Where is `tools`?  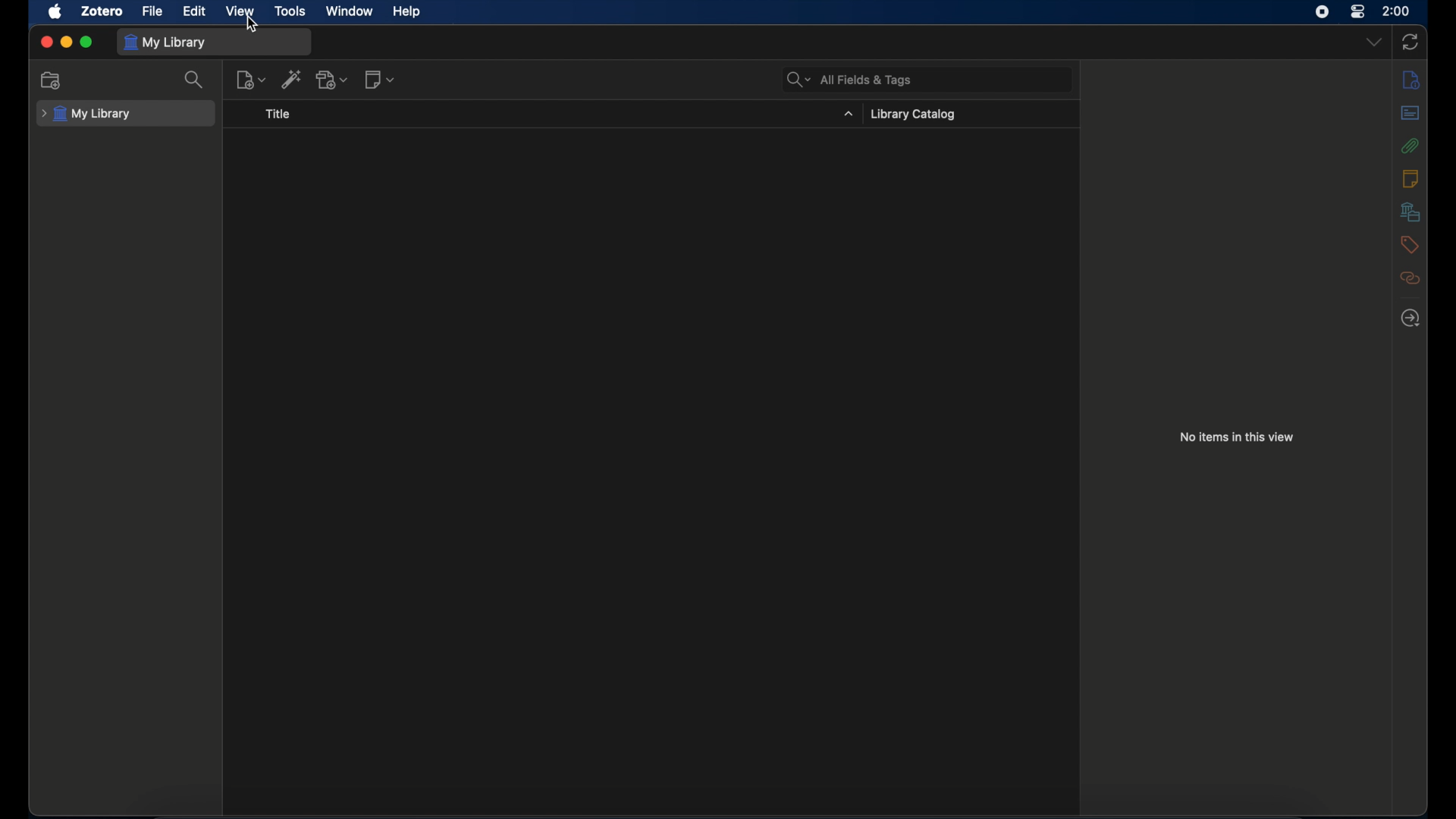
tools is located at coordinates (290, 11).